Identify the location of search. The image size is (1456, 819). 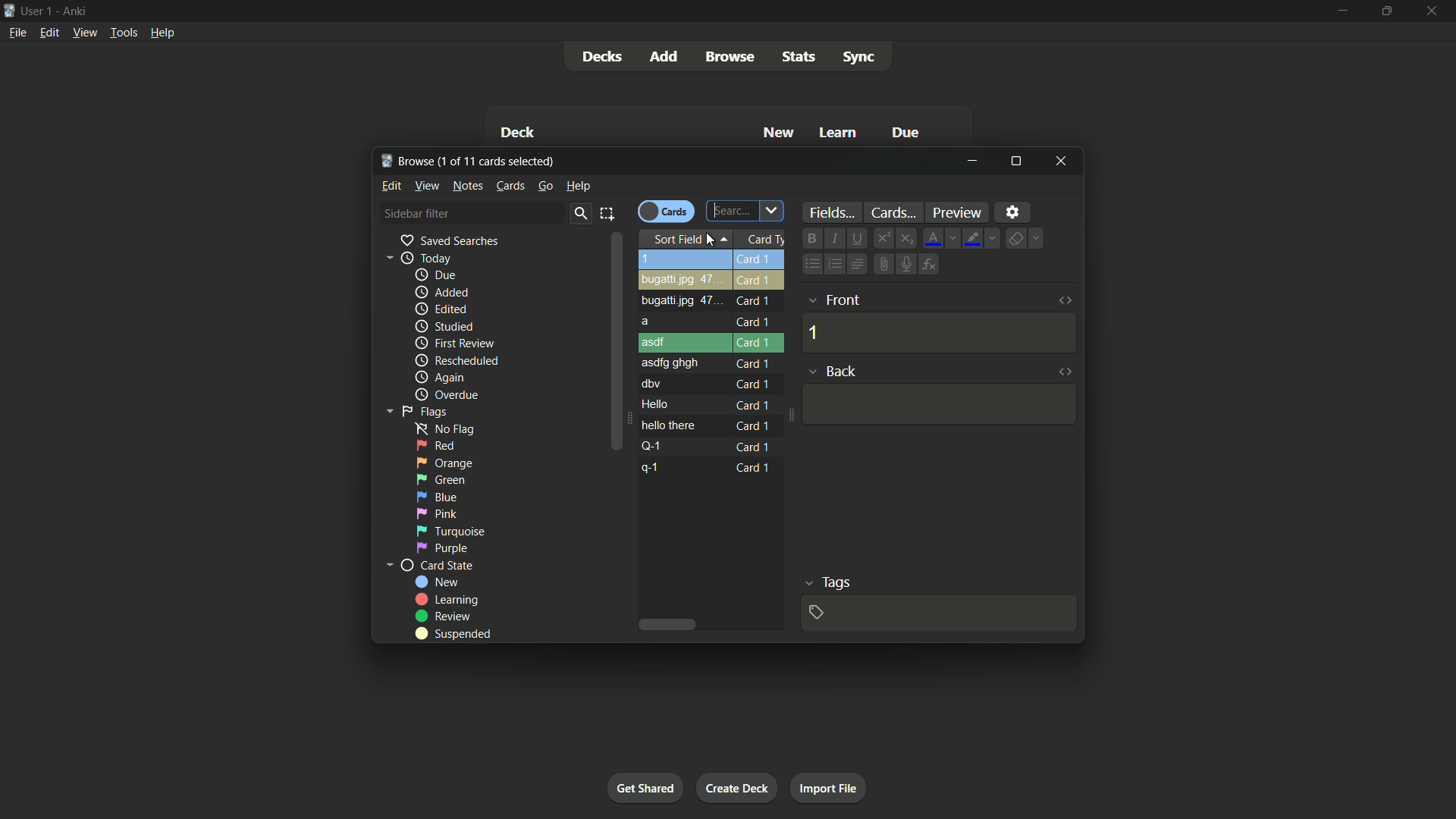
(745, 210).